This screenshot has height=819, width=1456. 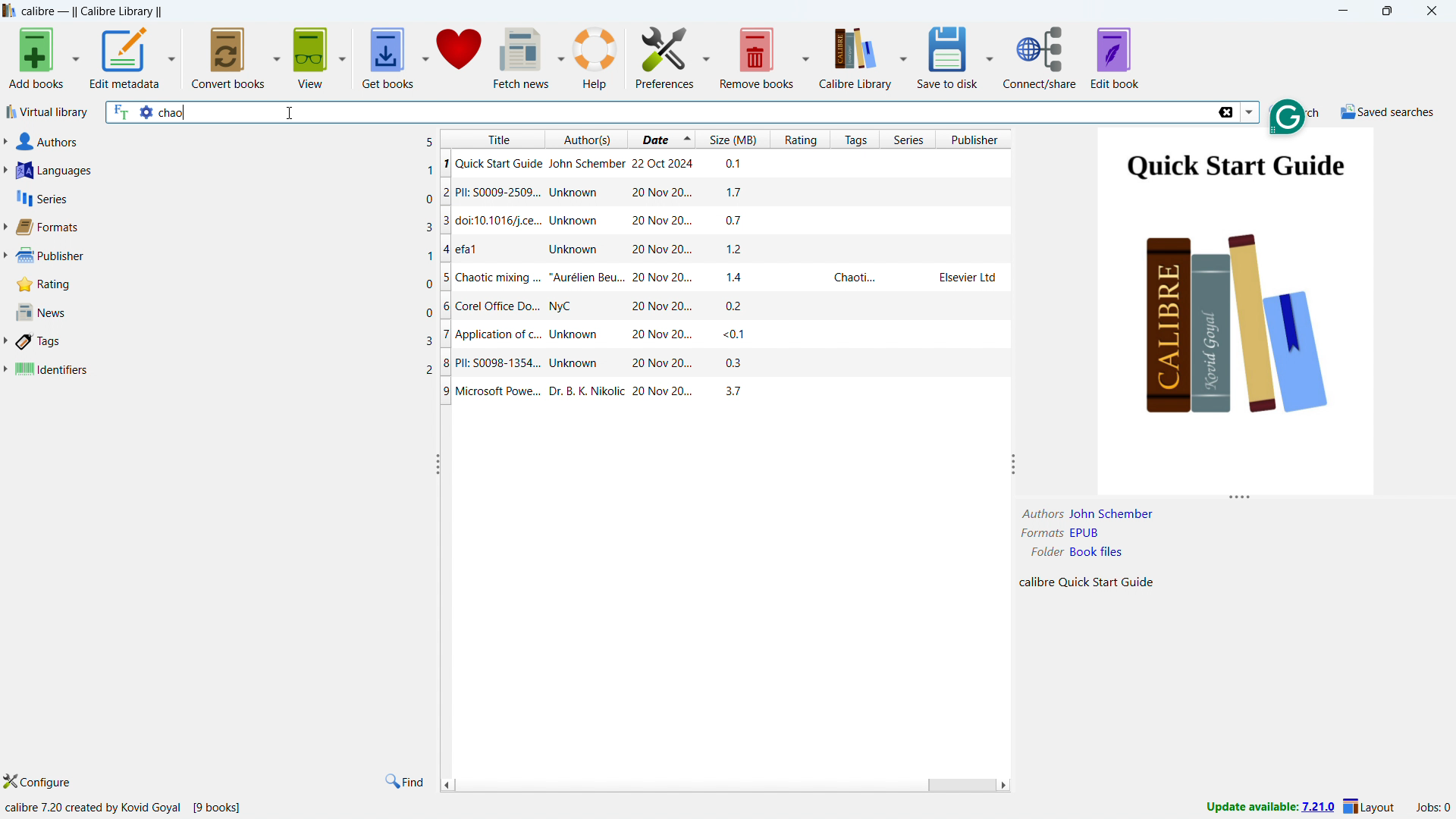 I want to click on authors, so click(x=224, y=142).